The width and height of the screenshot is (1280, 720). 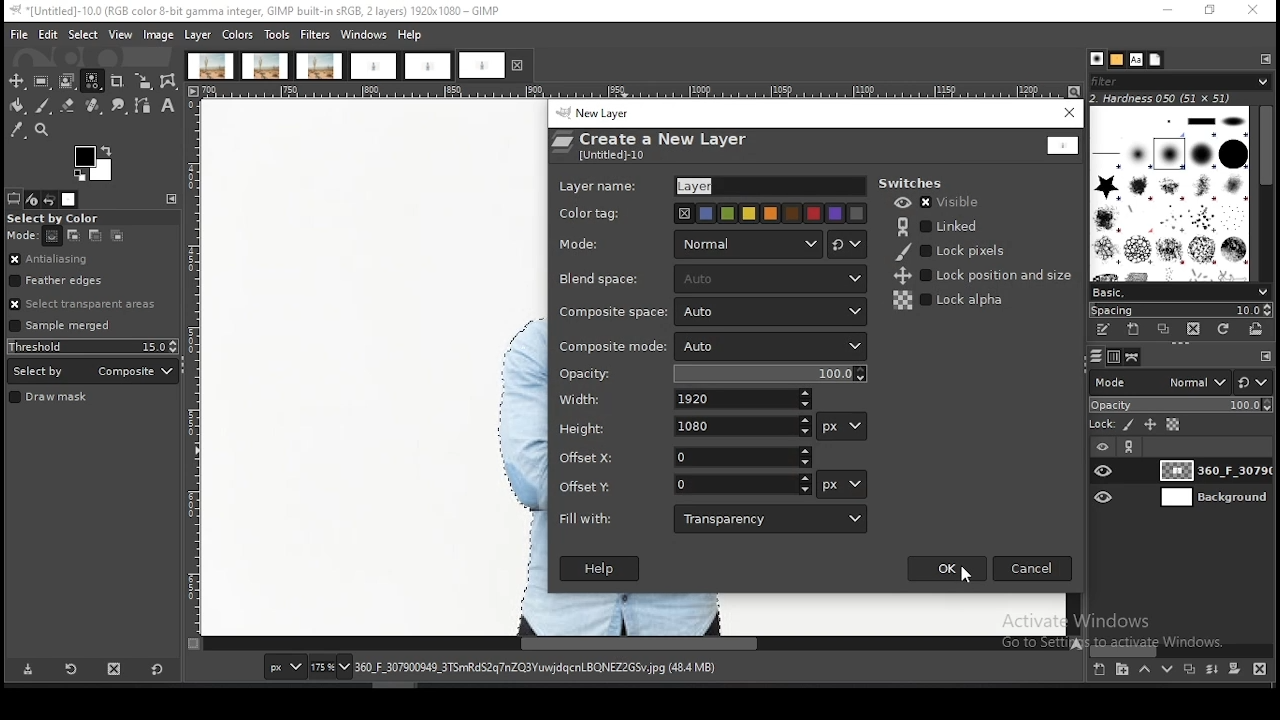 I want to click on undo history, so click(x=49, y=200).